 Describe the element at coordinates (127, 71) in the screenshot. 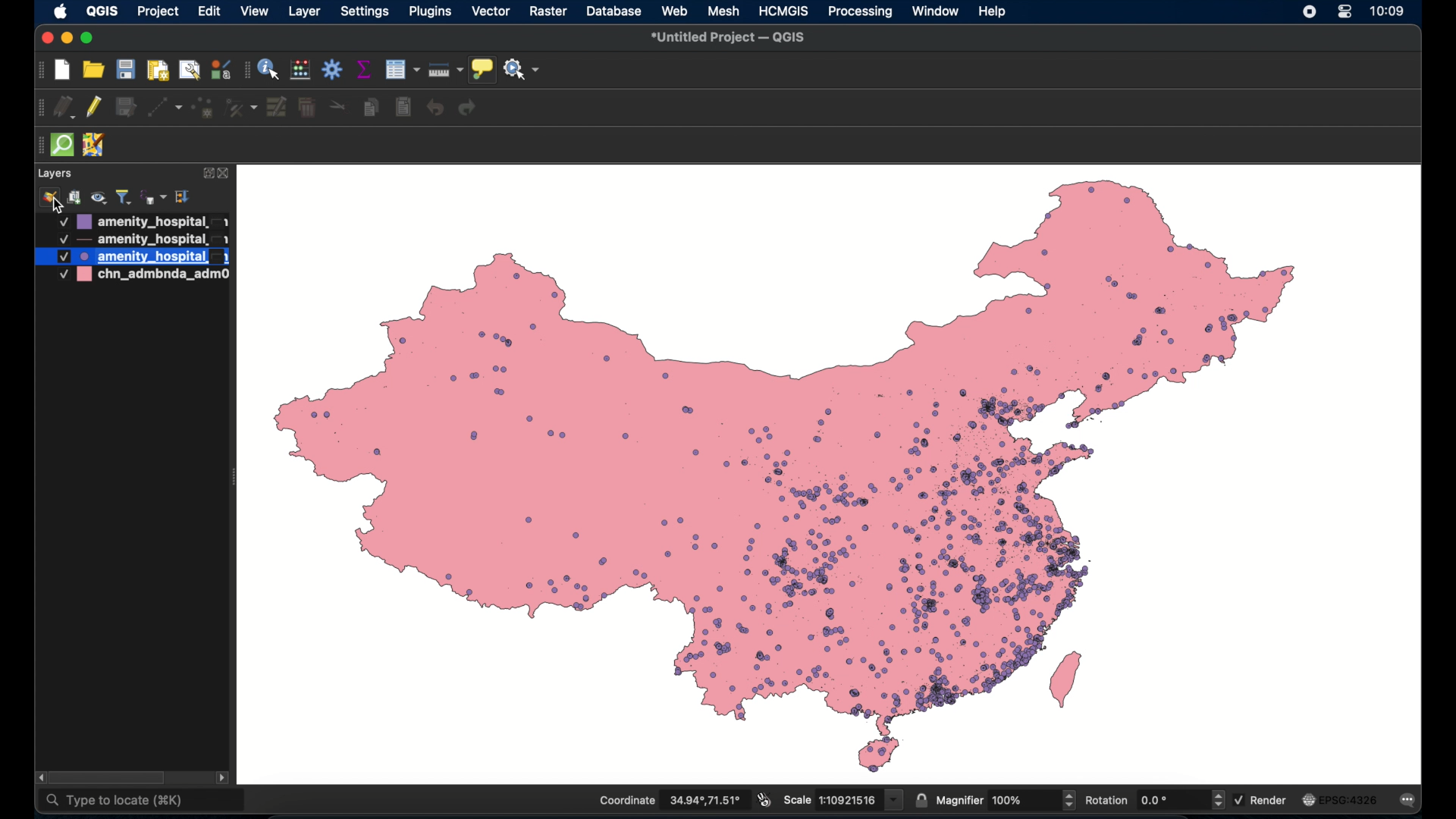

I see `save project` at that location.